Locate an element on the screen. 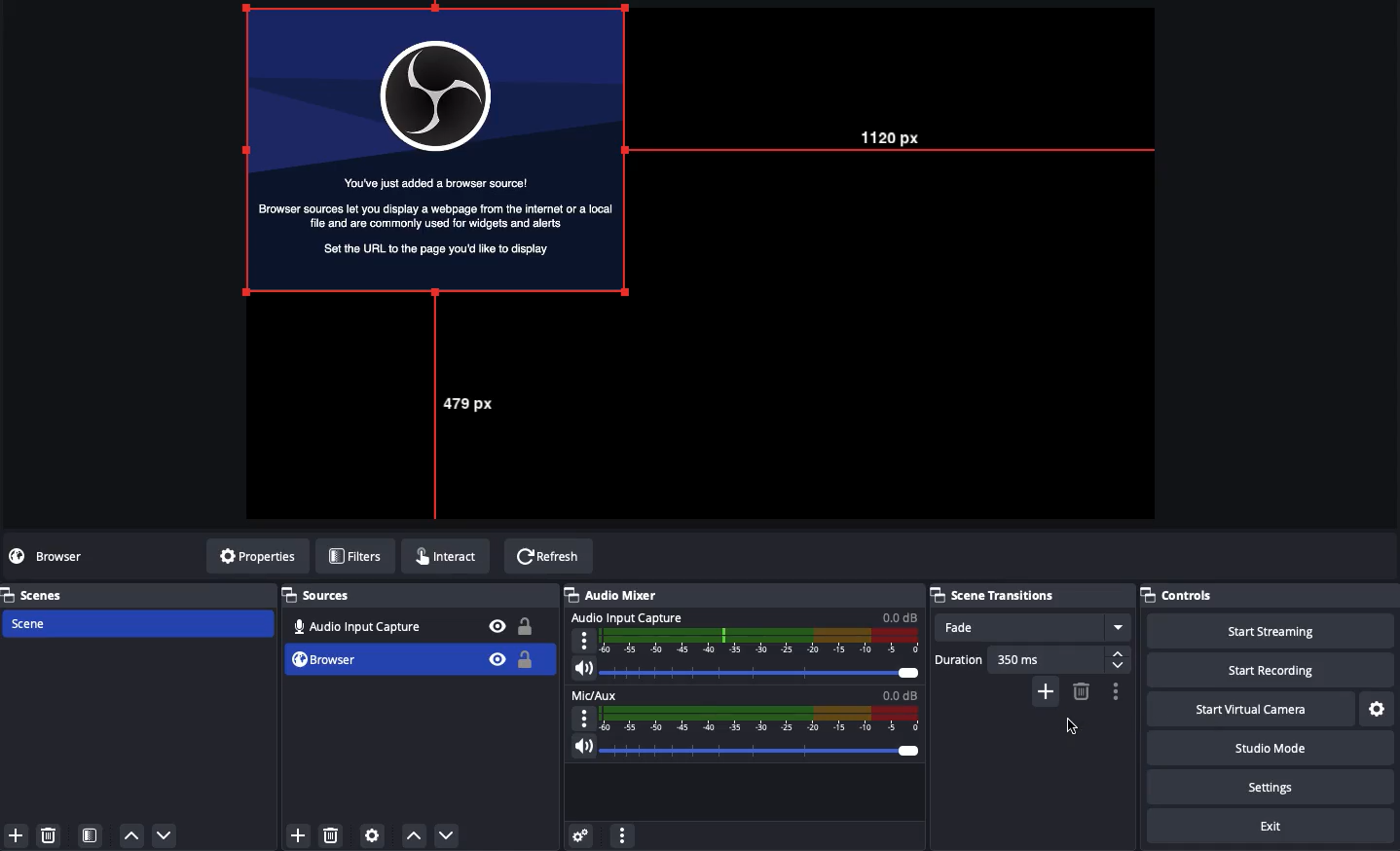 The width and height of the screenshot is (1400, 851). Start recording is located at coordinates (1264, 669).